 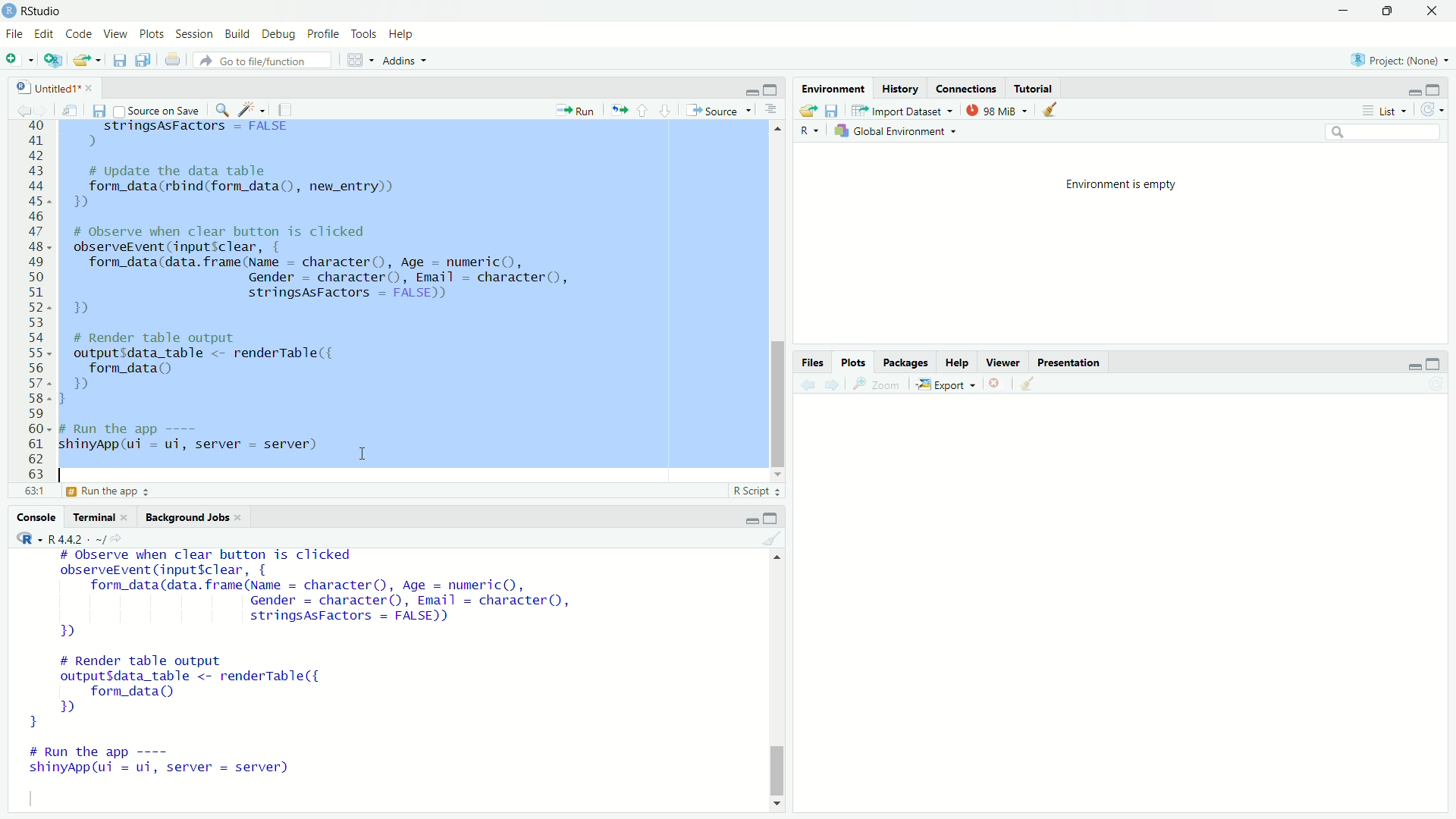 I want to click on next plot, so click(x=833, y=385).